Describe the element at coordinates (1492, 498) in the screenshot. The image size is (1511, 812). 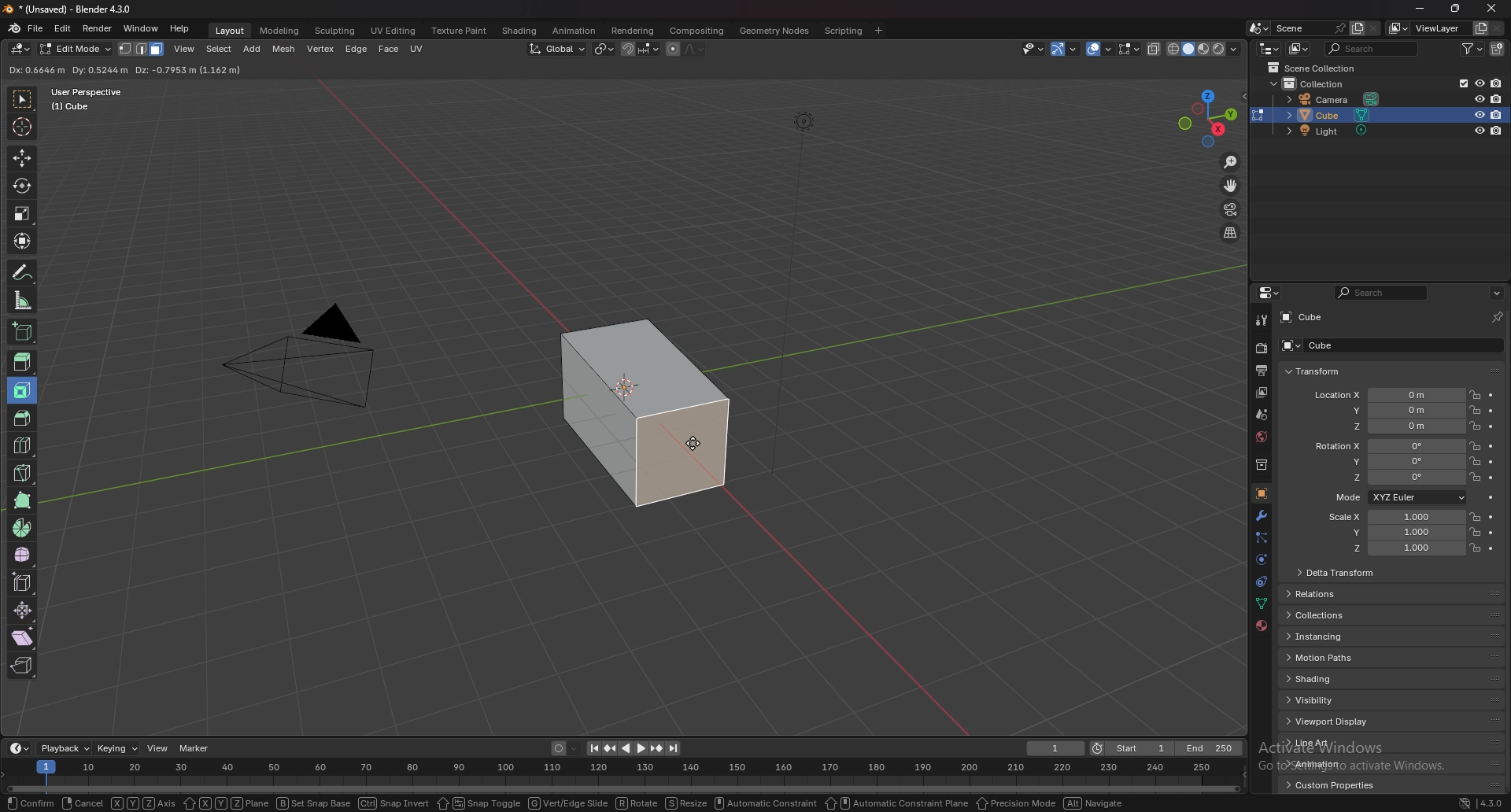
I see `animate property` at that location.